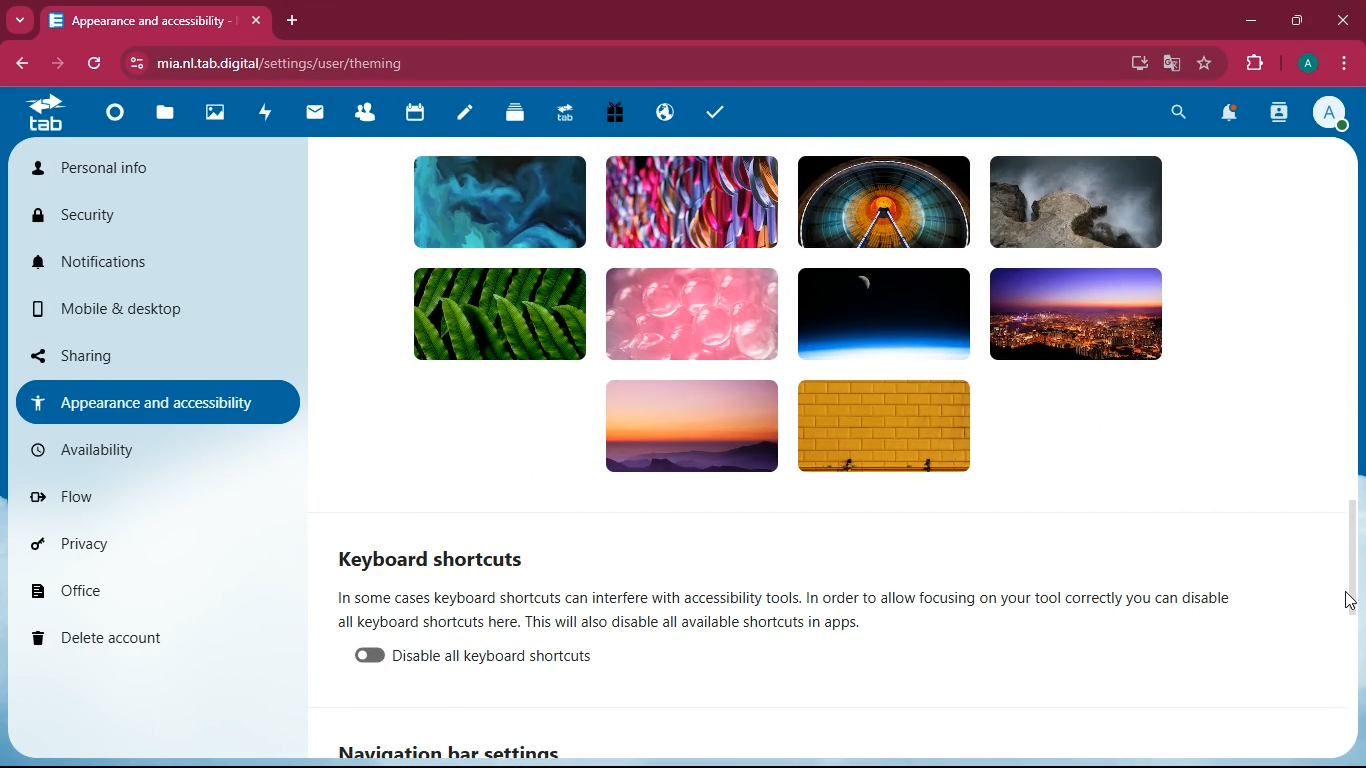  Describe the element at coordinates (1247, 23) in the screenshot. I see `minimize` at that location.